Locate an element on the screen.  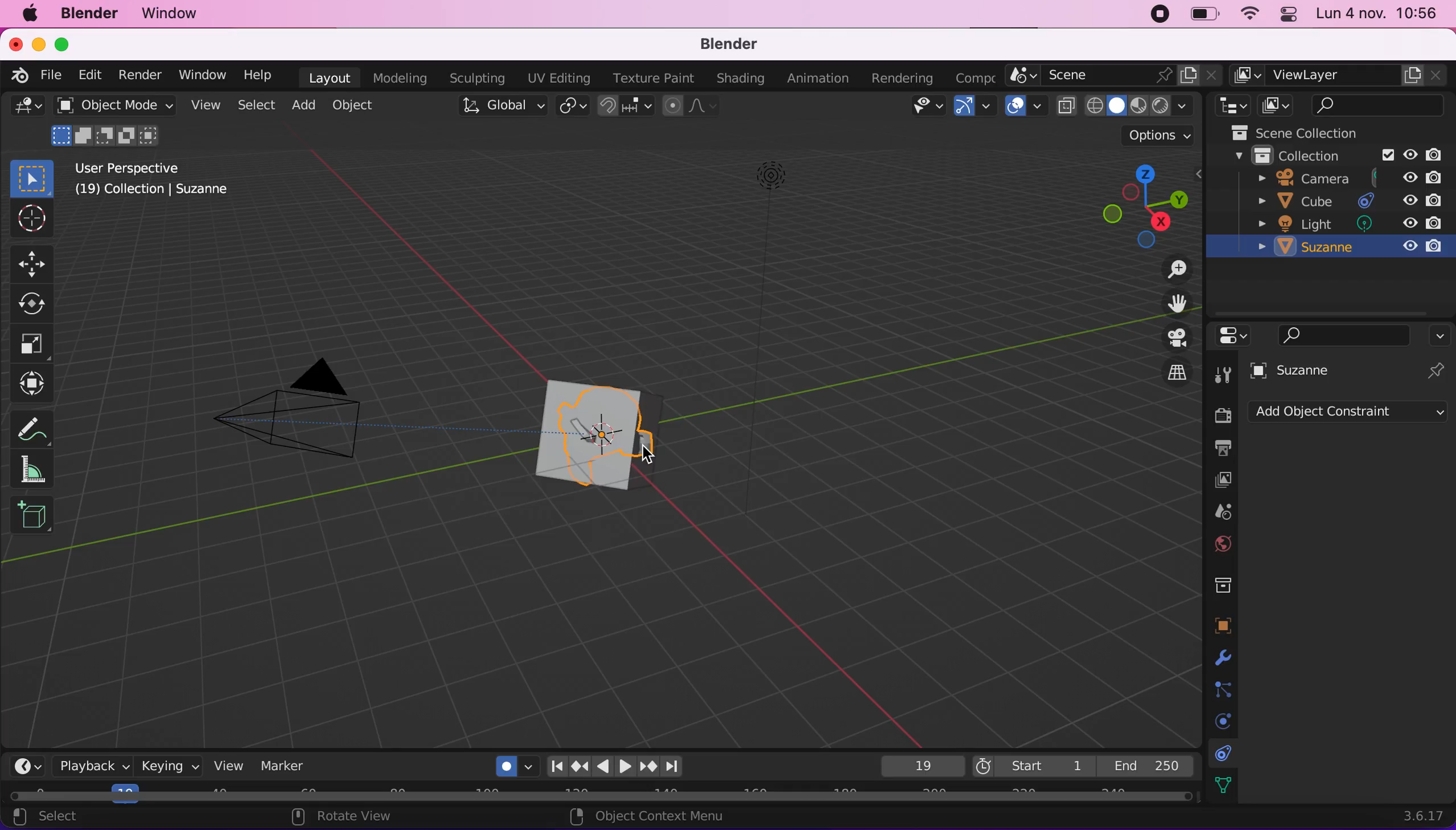
add cube is located at coordinates (35, 519).